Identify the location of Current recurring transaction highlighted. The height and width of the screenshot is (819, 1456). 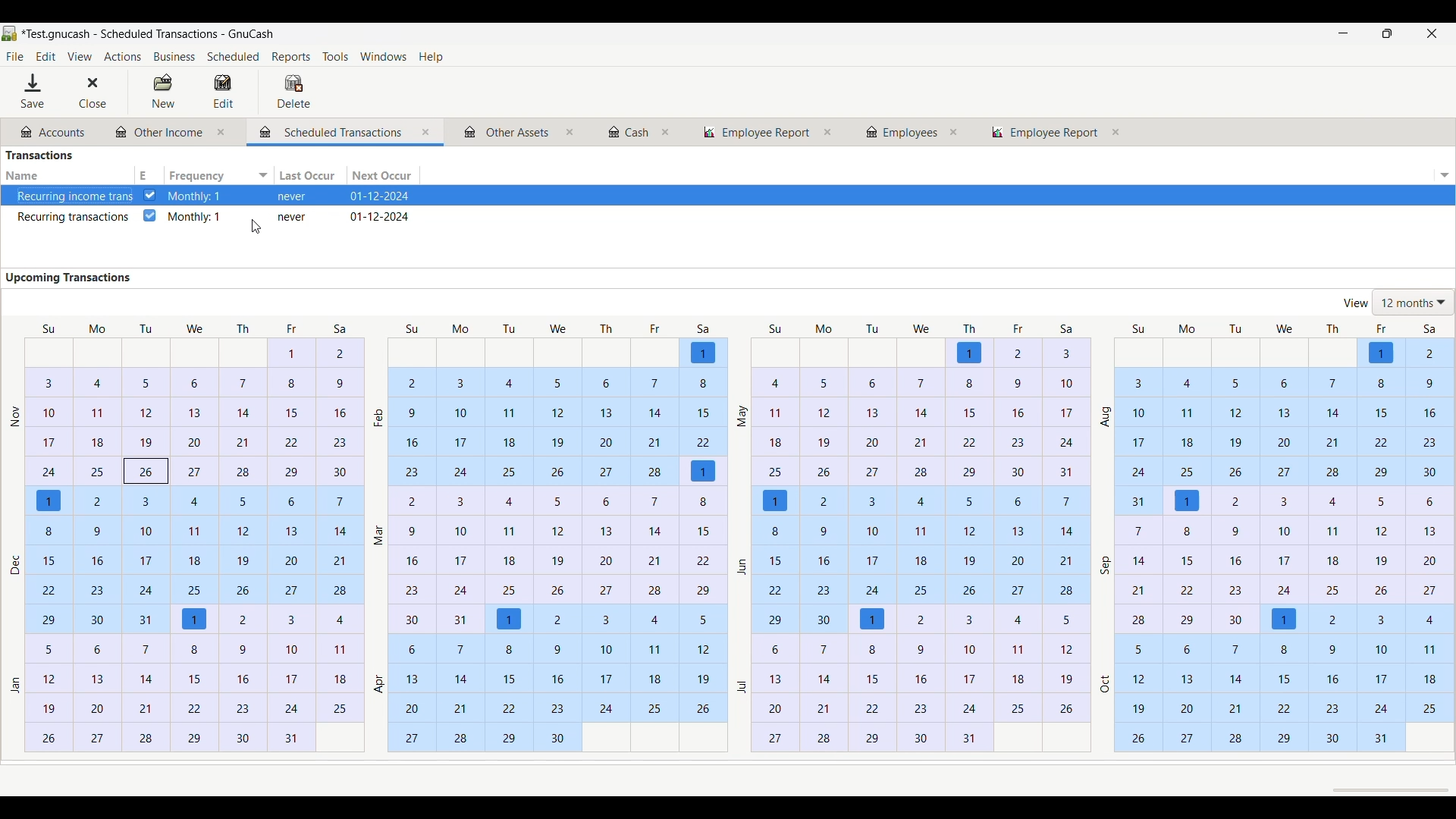
(726, 196).